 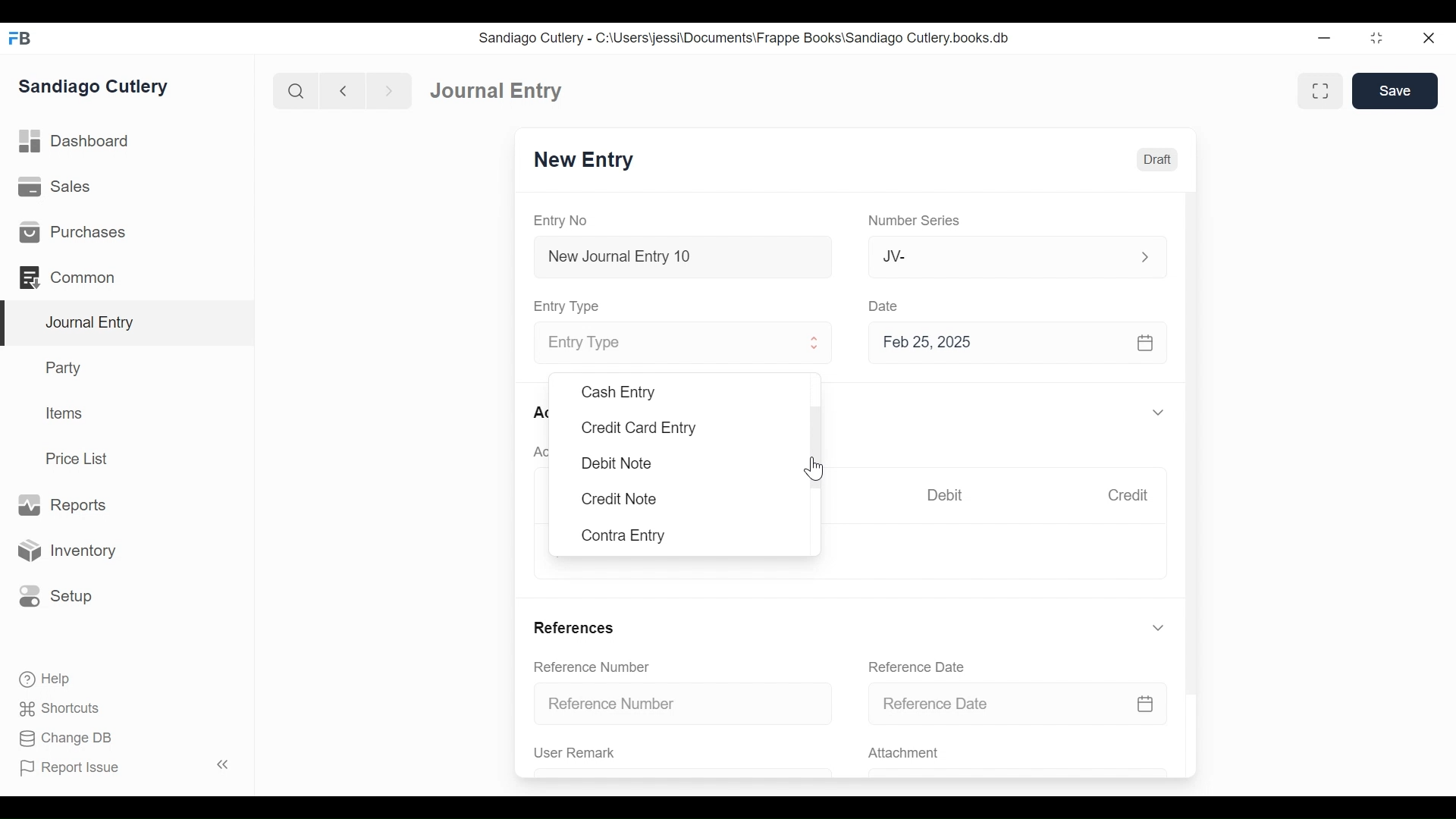 What do you see at coordinates (1158, 160) in the screenshot?
I see `Draft` at bounding box center [1158, 160].